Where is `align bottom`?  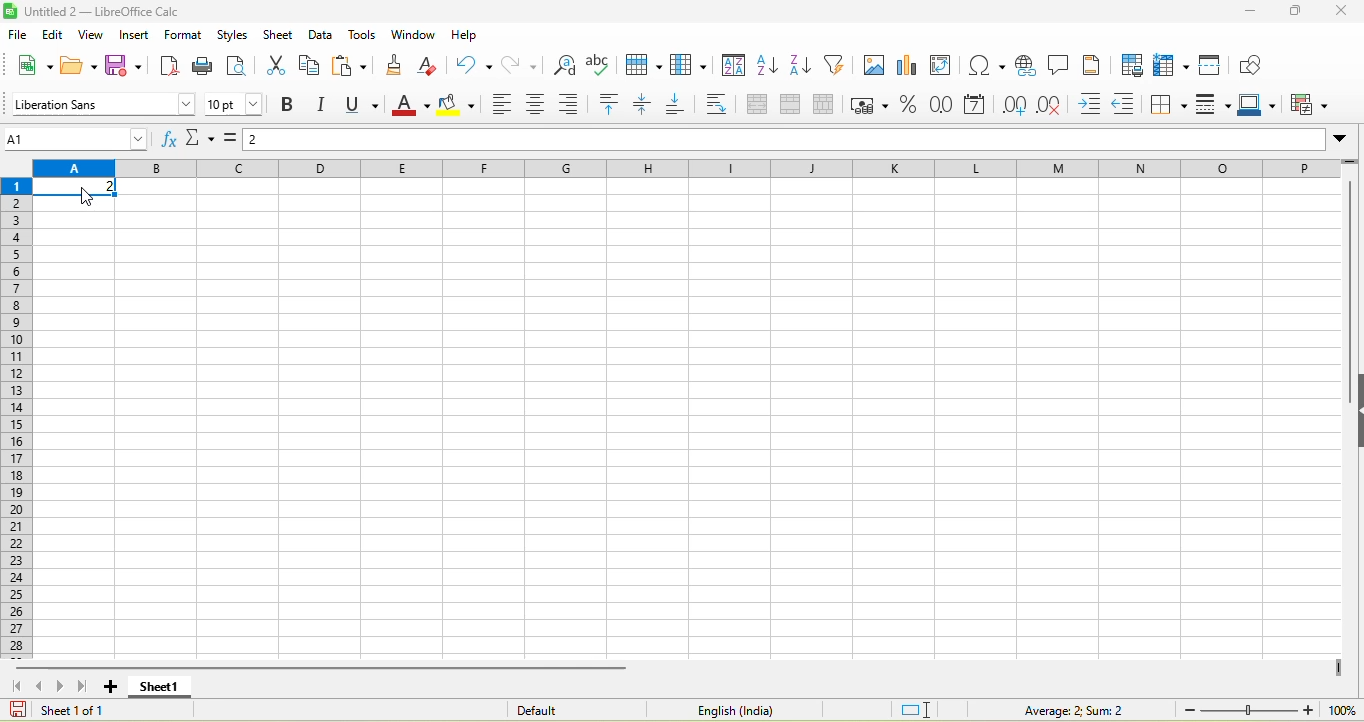 align bottom is located at coordinates (687, 105).